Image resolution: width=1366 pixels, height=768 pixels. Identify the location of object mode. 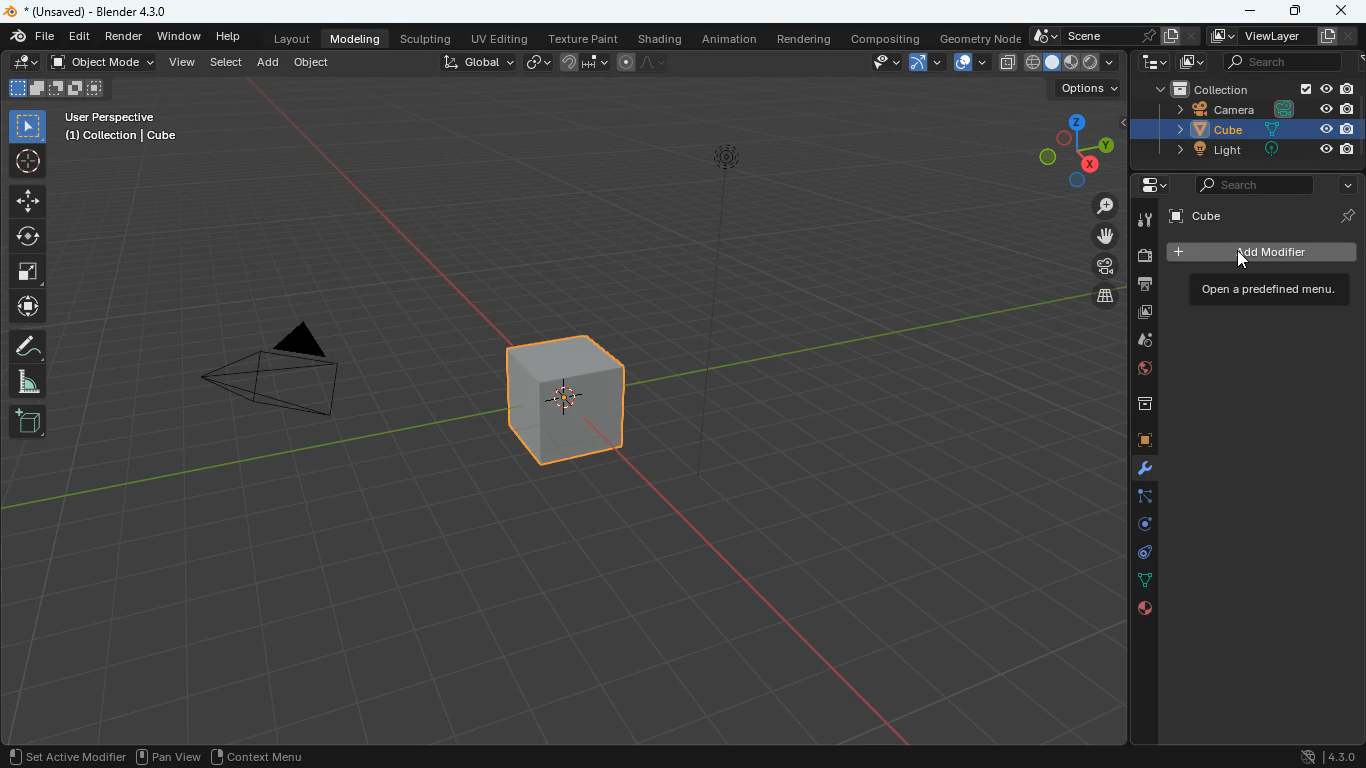
(105, 64).